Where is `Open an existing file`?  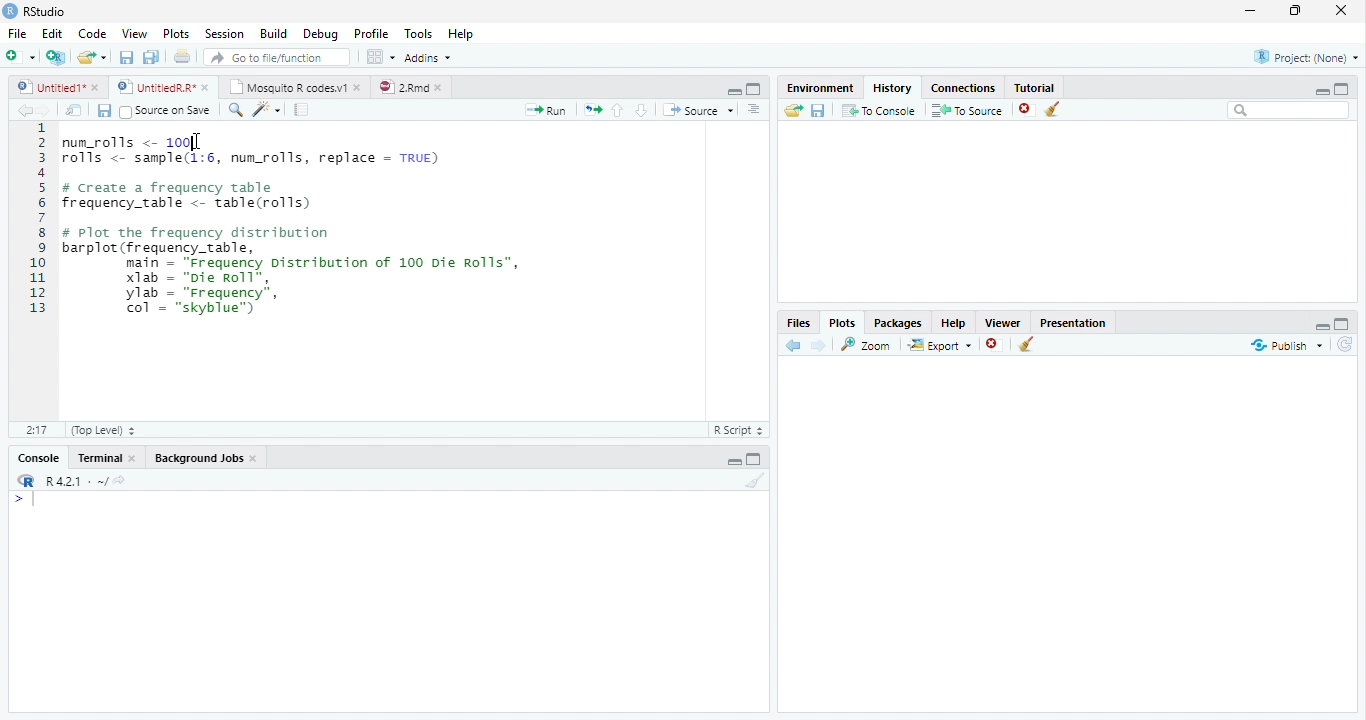 Open an existing file is located at coordinates (92, 57).